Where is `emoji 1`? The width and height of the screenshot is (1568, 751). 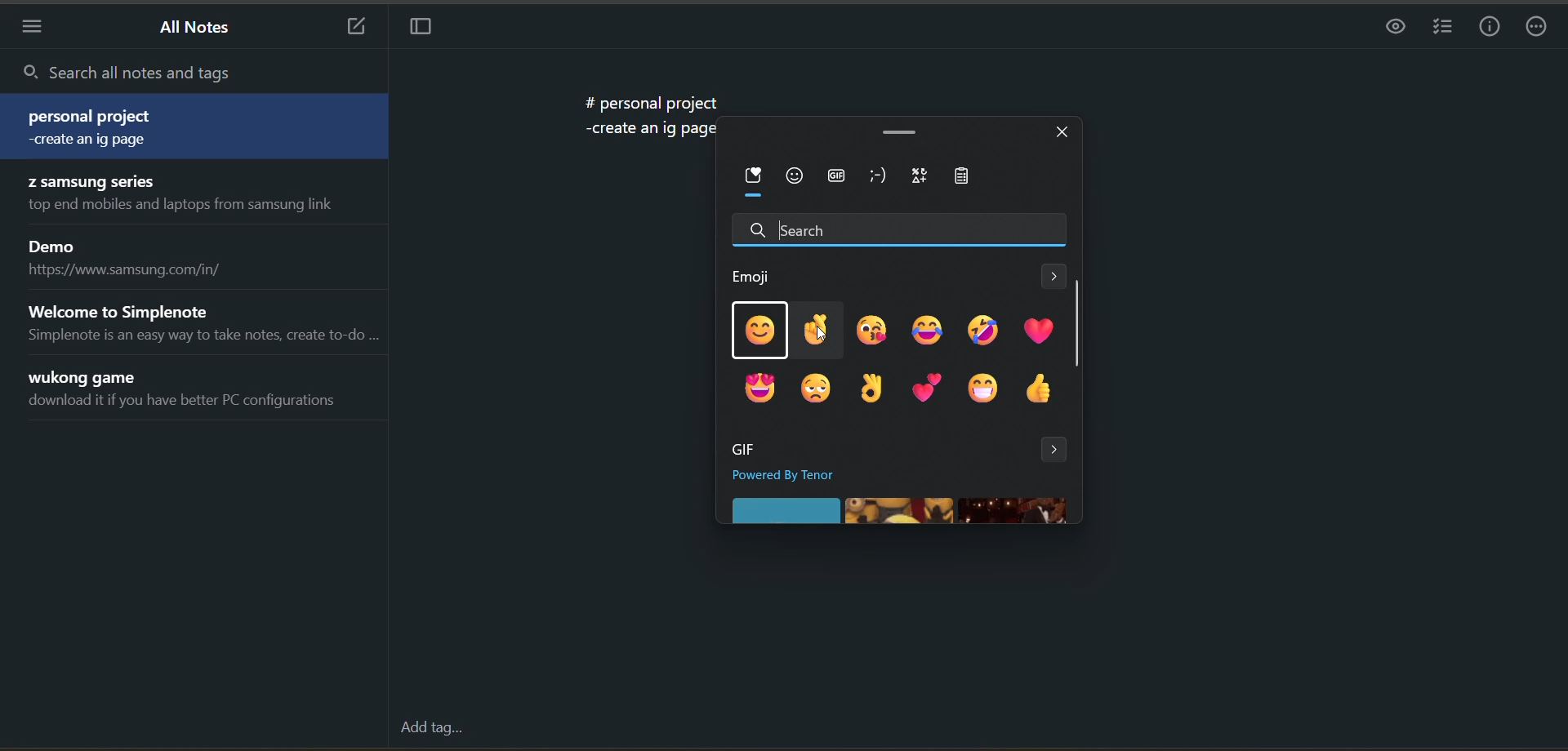 emoji 1 is located at coordinates (759, 331).